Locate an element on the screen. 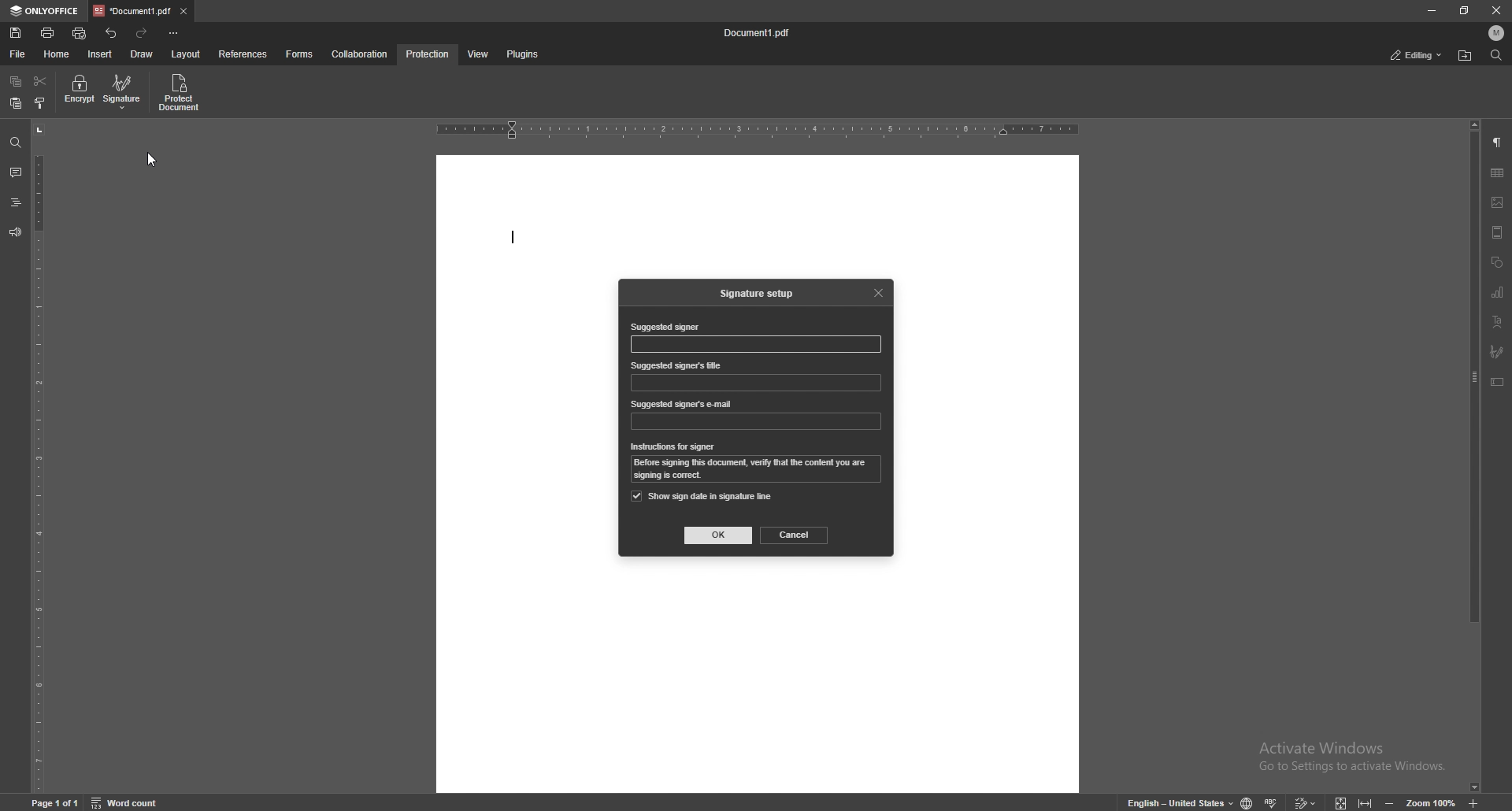 Image resolution: width=1512 pixels, height=811 pixels. feedback is located at coordinates (14, 232).